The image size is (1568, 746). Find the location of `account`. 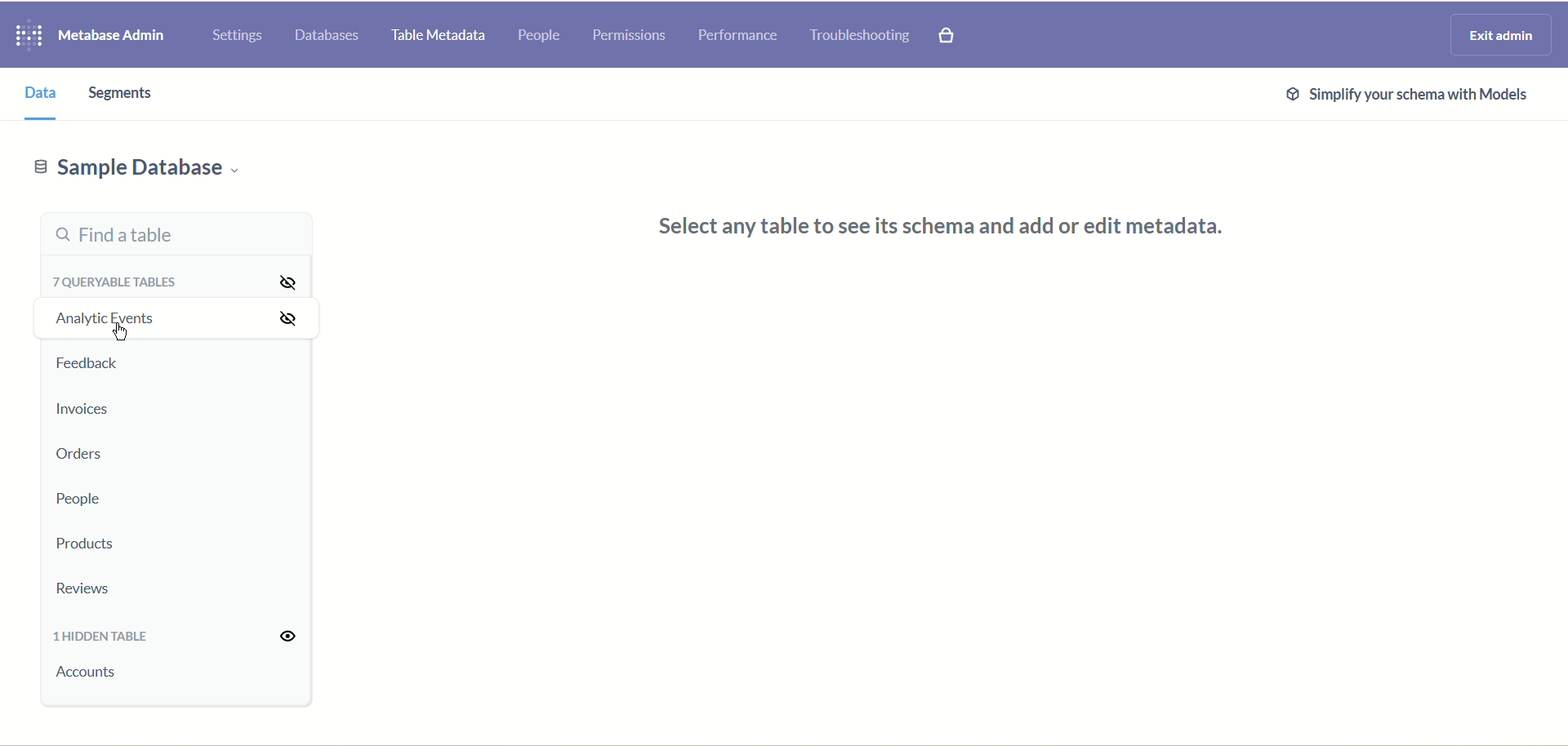

account is located at coordinates (91, 673).